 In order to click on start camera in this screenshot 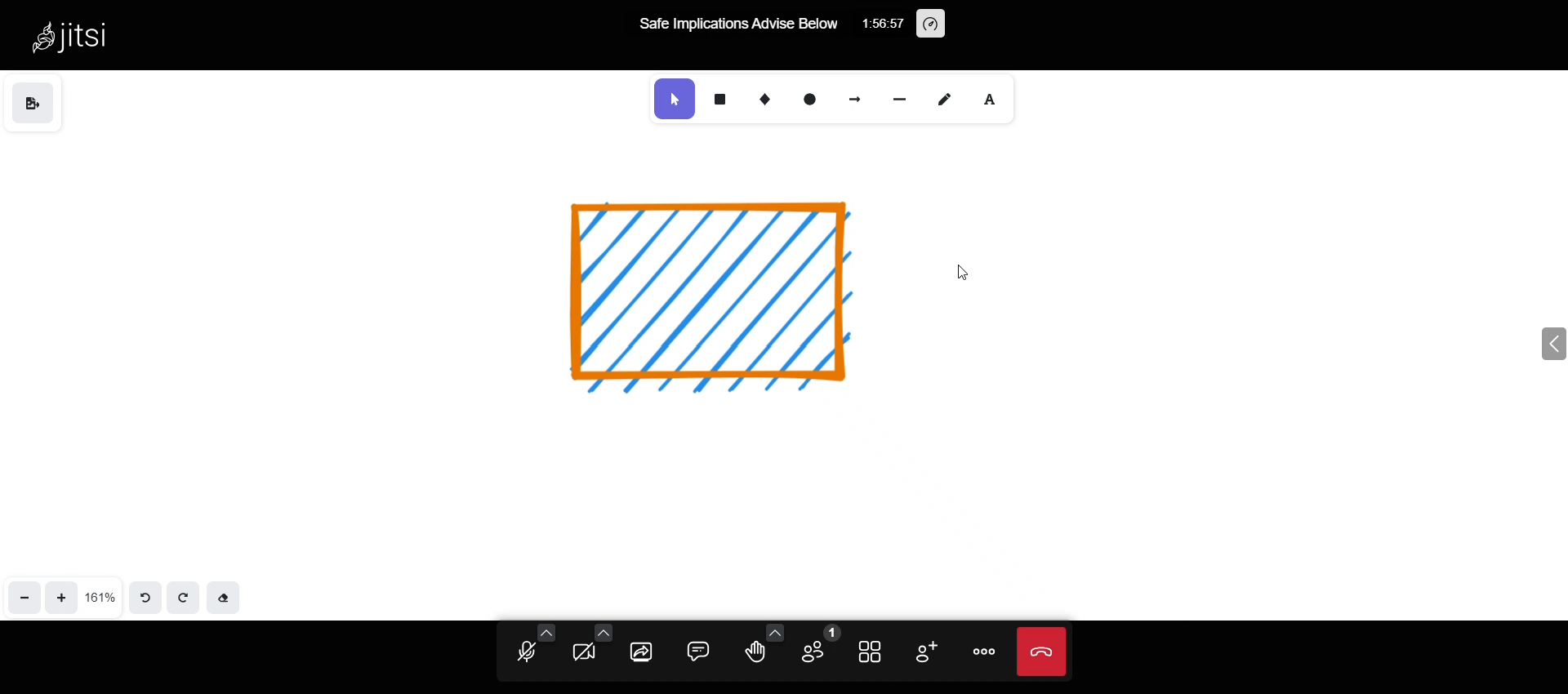, I will do `click(582, 650)`.